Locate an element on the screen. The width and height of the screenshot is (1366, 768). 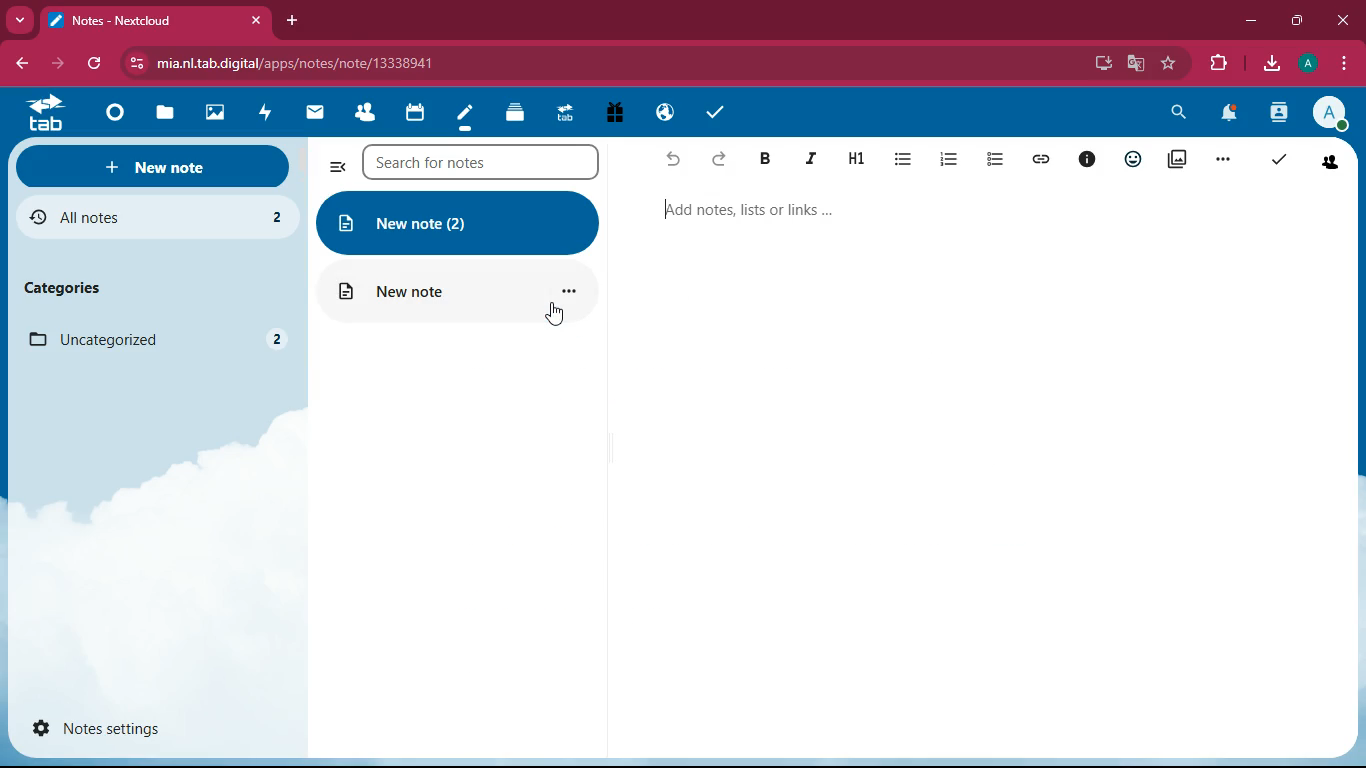
link is located at coordinates (1042, 158).